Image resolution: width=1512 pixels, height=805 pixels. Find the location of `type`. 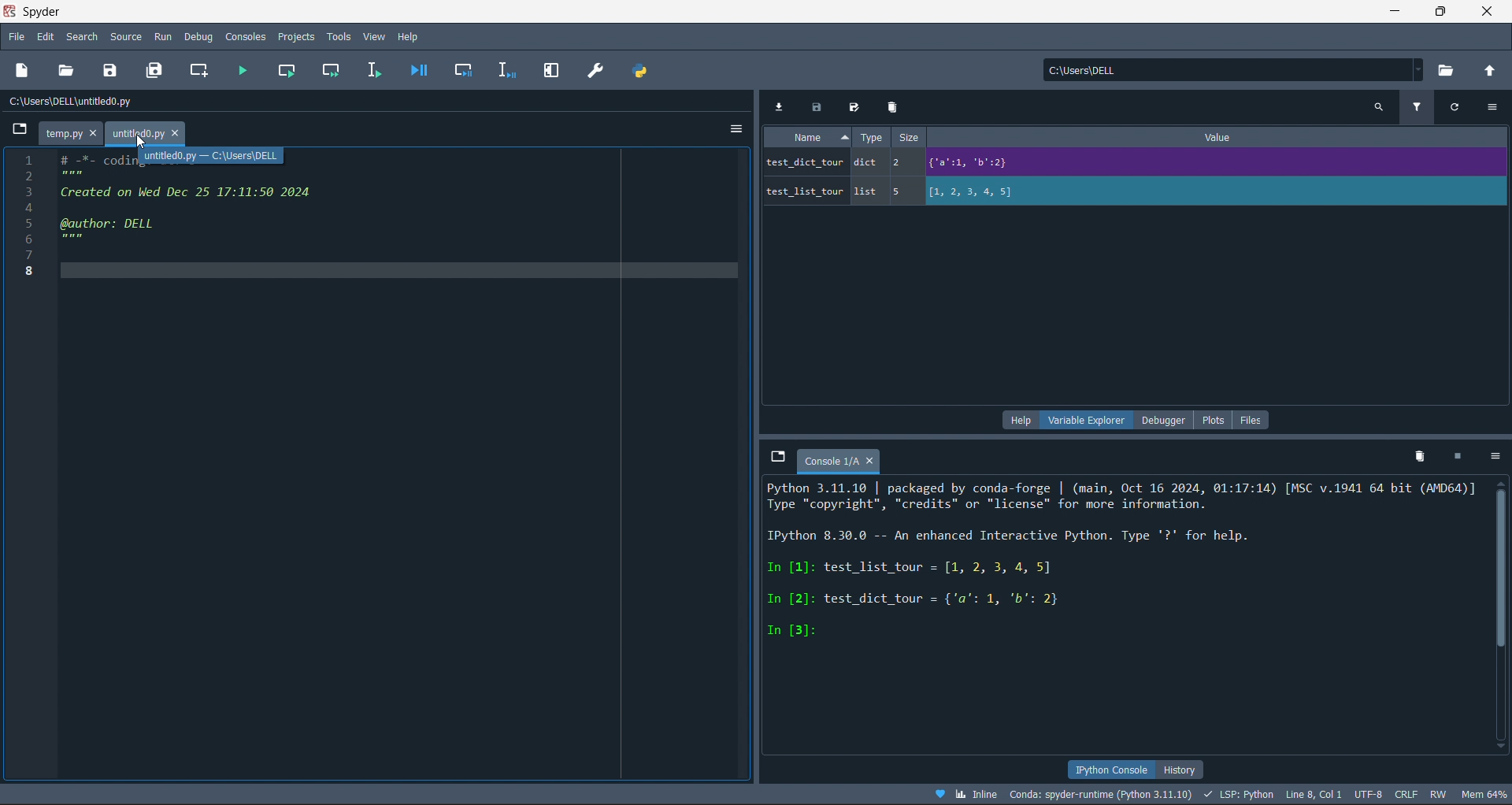

type is located at coordinates (876, 138).